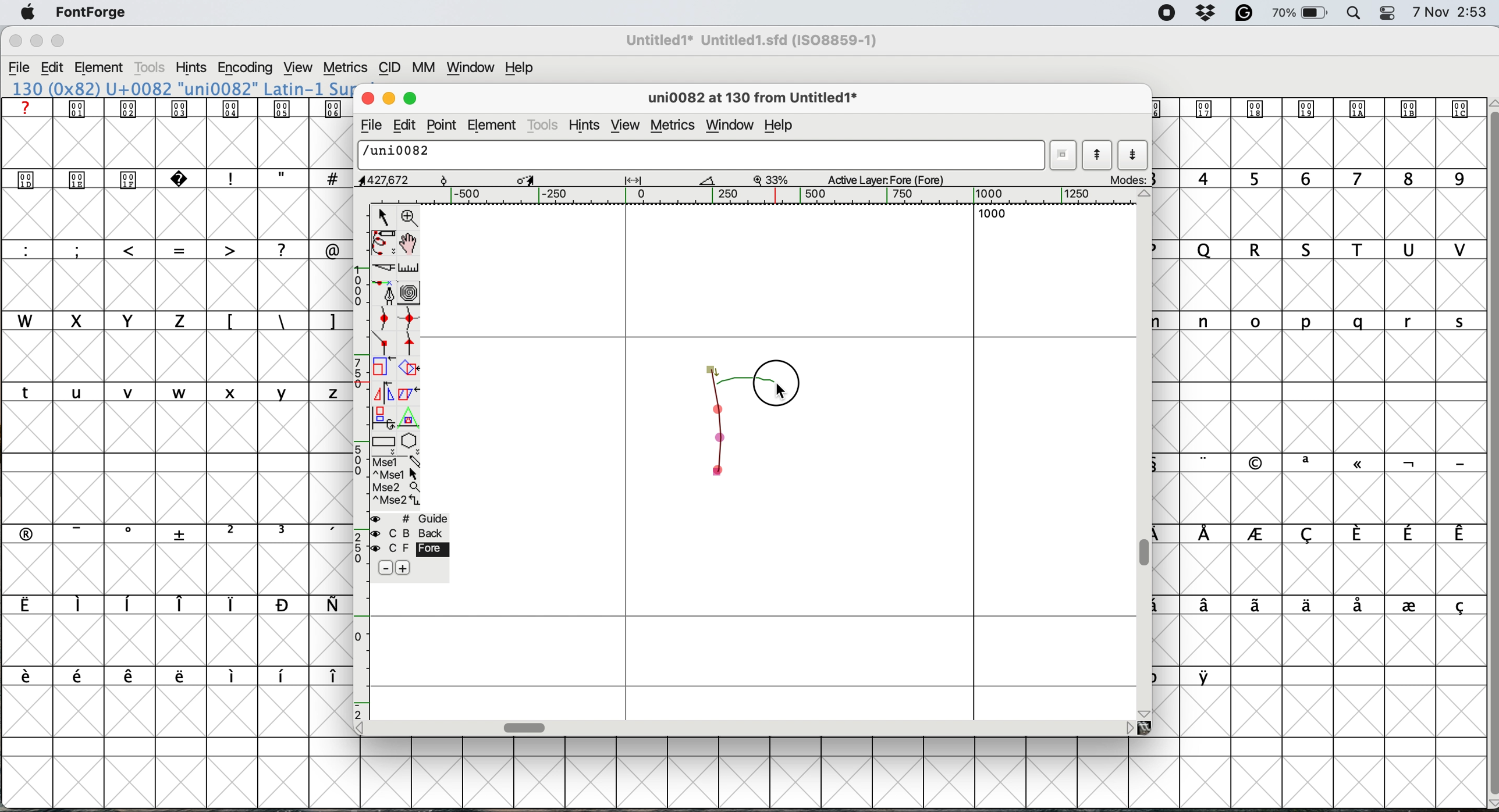 Image resolution: width=1499 pixels, height=812 pixels. Describe the element at coordinates (411, 99) in the screenshot. I see `maximise` at that location.